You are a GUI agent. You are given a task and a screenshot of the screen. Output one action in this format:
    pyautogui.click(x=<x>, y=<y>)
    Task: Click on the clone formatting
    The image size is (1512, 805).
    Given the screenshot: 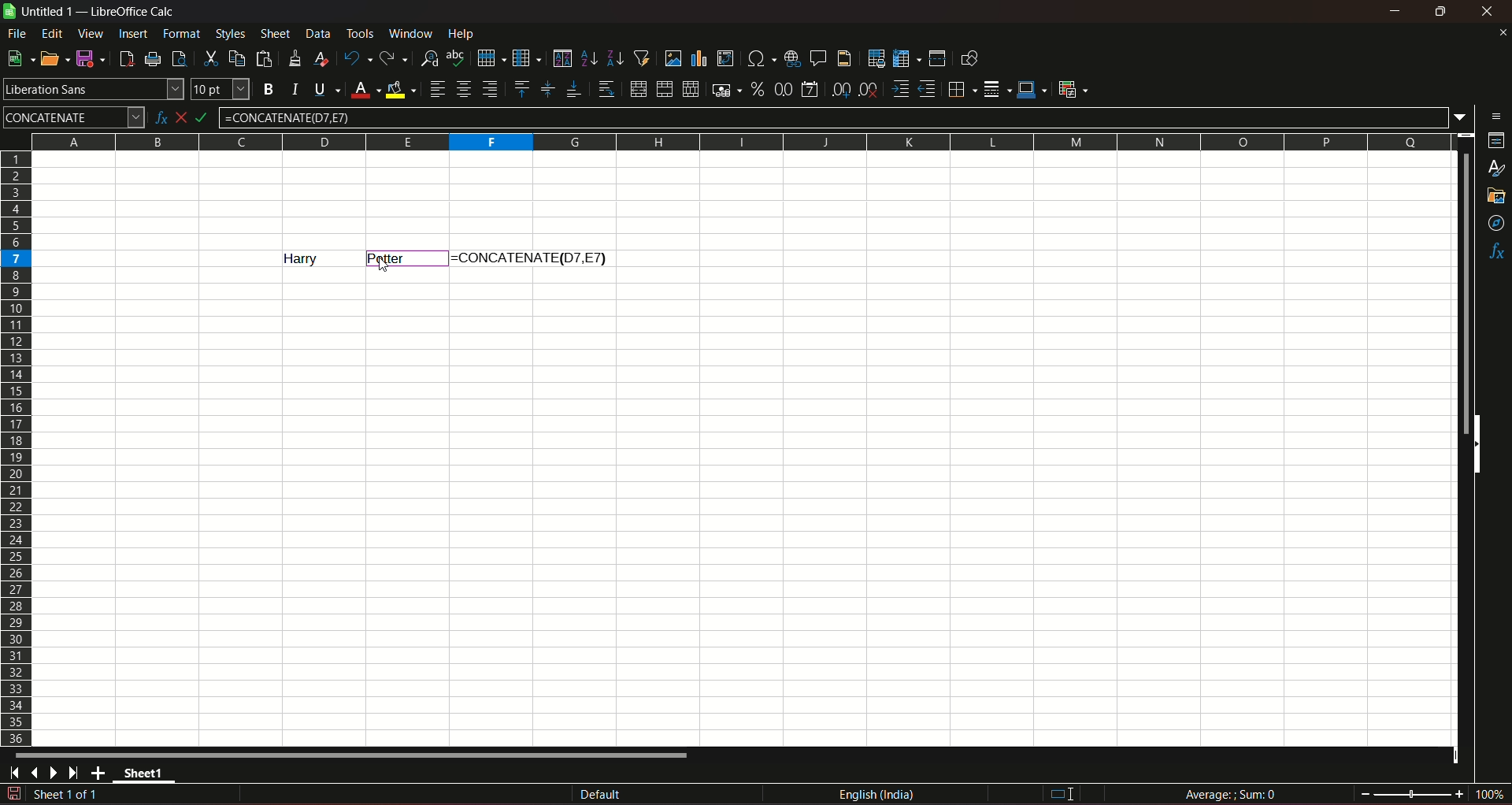 What is the action you would take?
    pyautogui.click(x=296, y=57)
    